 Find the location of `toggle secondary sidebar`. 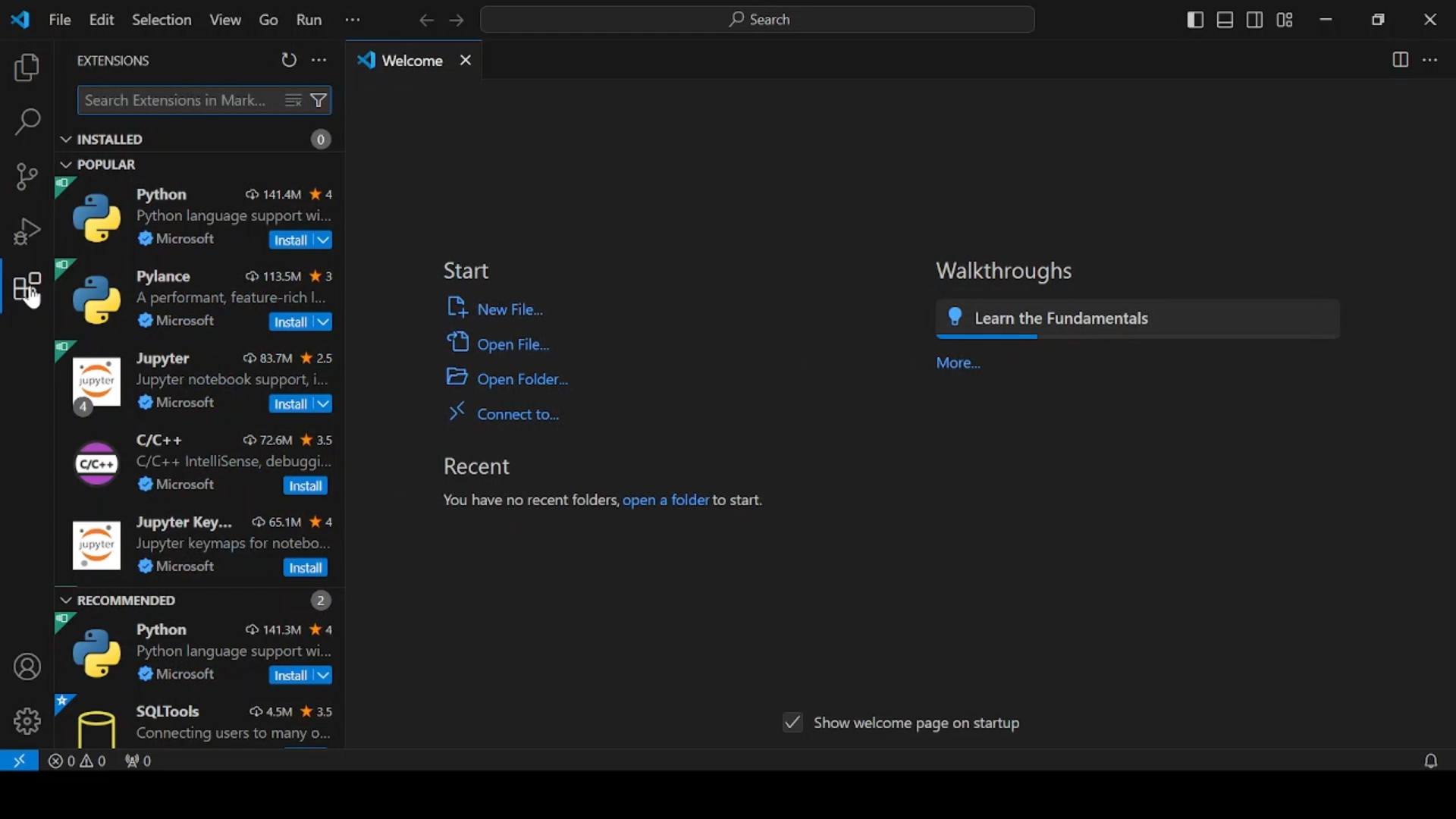

toggle secondary sidebar is located at coordinates (1255, 20).